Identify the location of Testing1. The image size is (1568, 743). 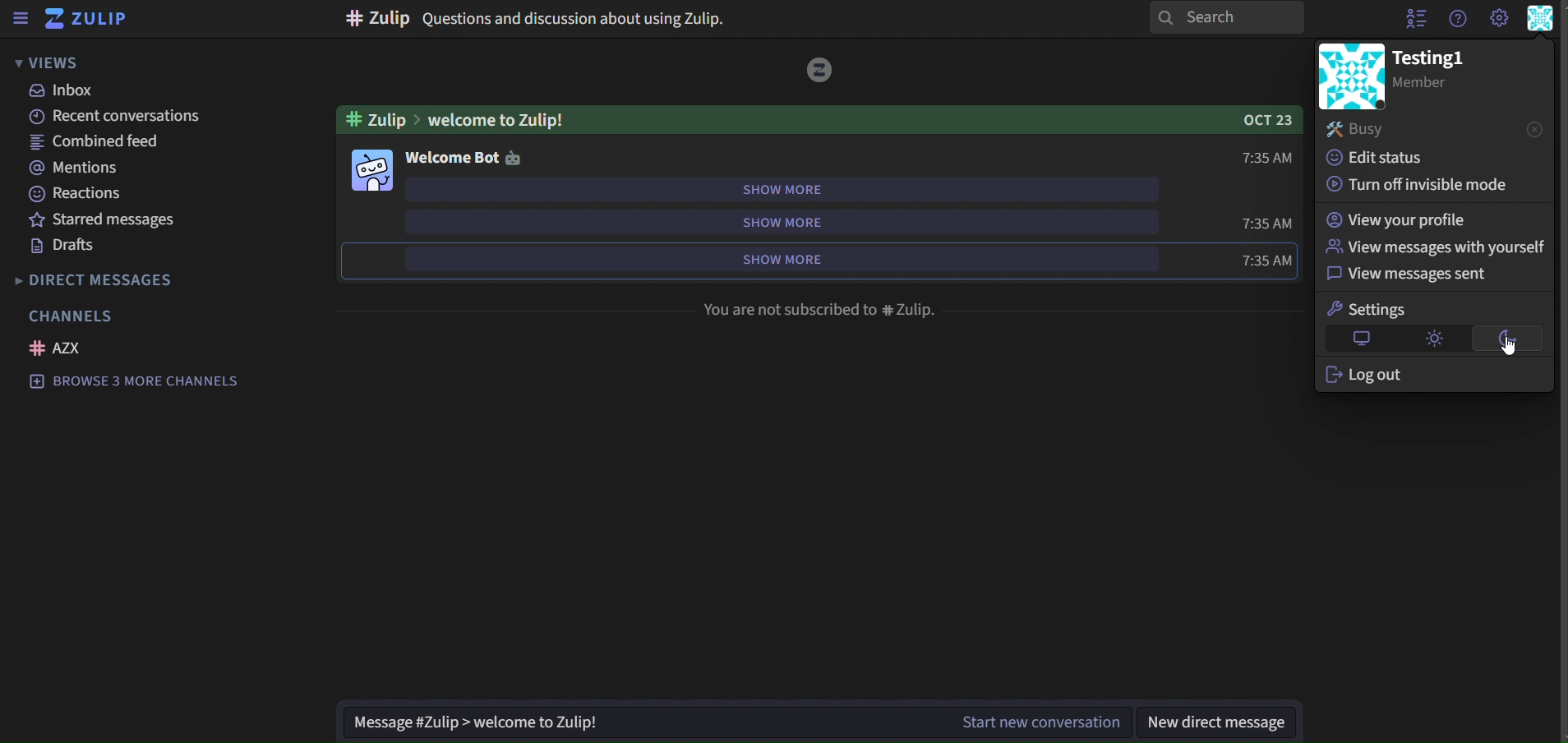
(1435, 56).